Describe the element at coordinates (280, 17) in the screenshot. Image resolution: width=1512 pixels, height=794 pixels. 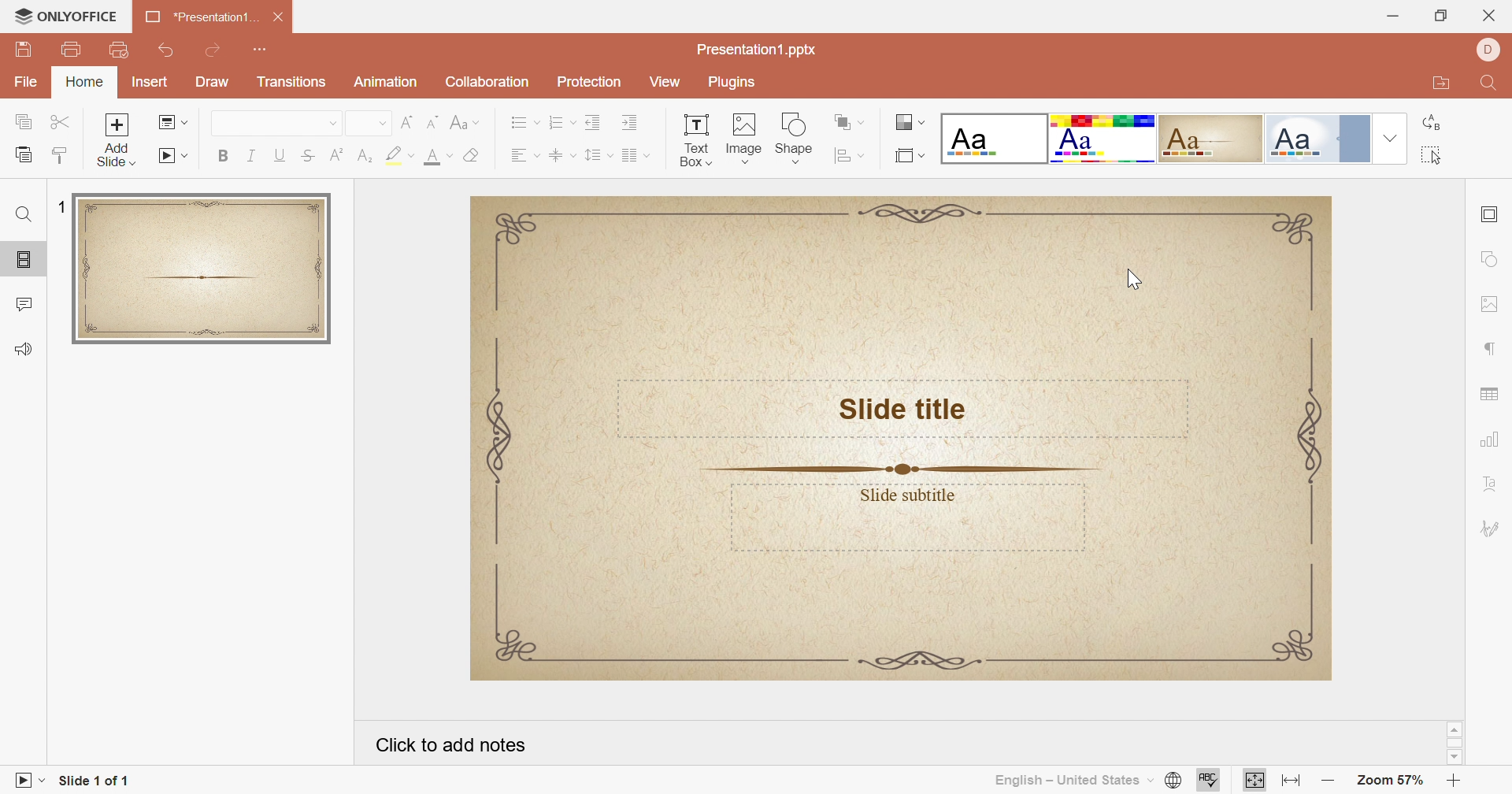
I see `Close` at that location.